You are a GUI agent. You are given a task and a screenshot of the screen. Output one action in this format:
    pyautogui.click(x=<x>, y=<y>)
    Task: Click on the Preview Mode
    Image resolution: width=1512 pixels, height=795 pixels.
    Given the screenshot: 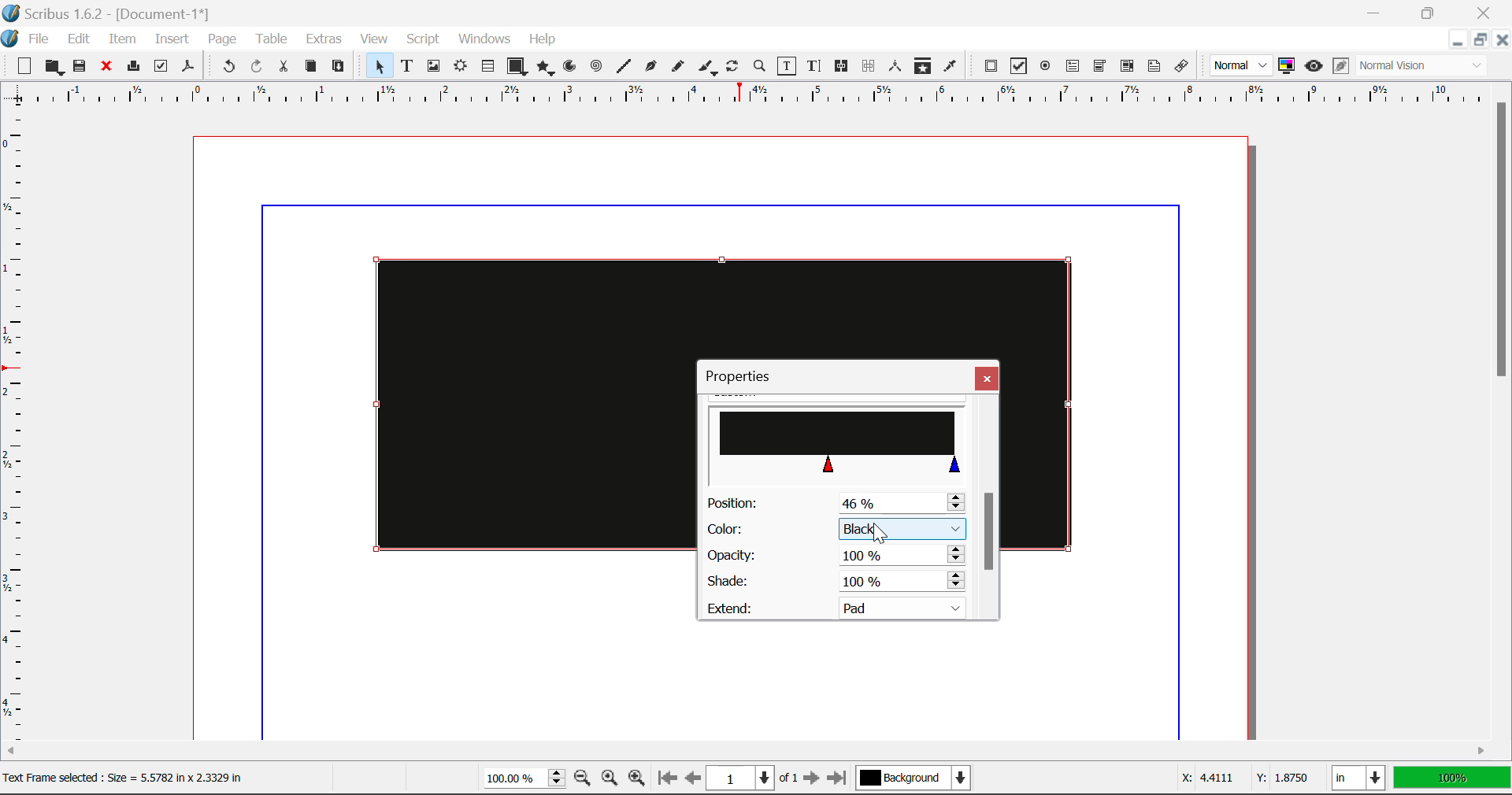 What is the action you would take?
    pyautogui.click(x=1241, y=65)
    